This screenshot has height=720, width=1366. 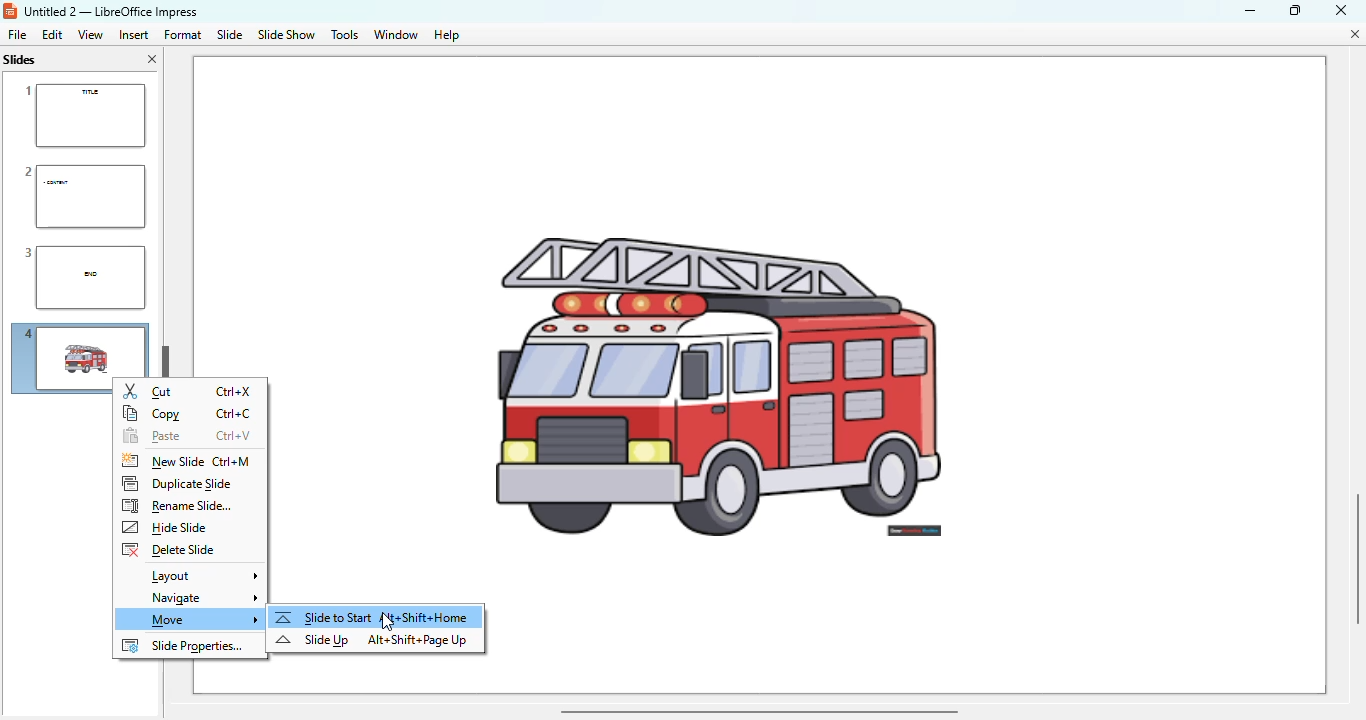 What do you see at coordinates (134, 35) in the screenshot?
I see `insert` at bounding box center [134, 35].